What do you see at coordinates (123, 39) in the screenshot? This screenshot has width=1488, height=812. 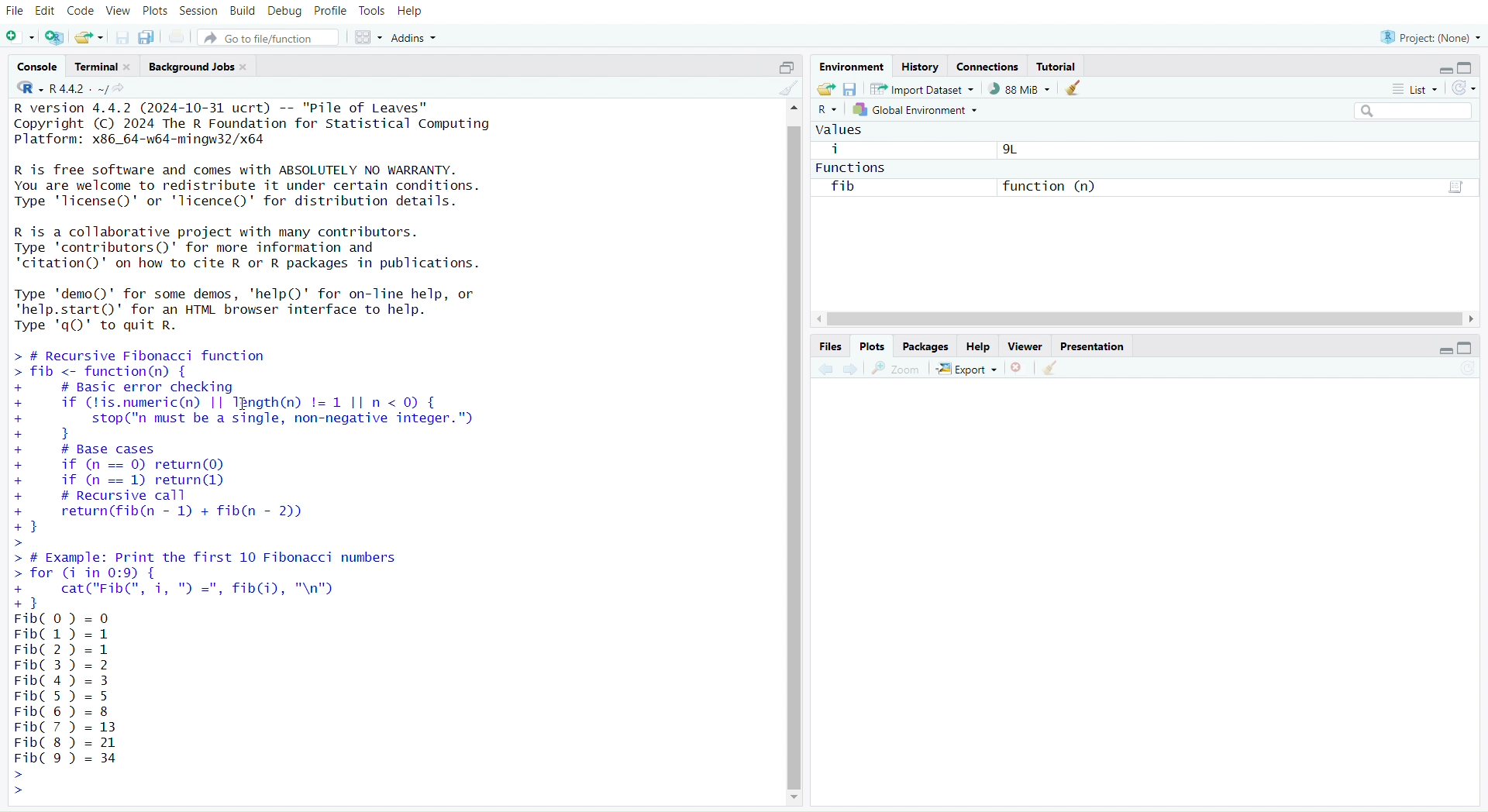 I see `save current document` at bounding box center [123, 39].